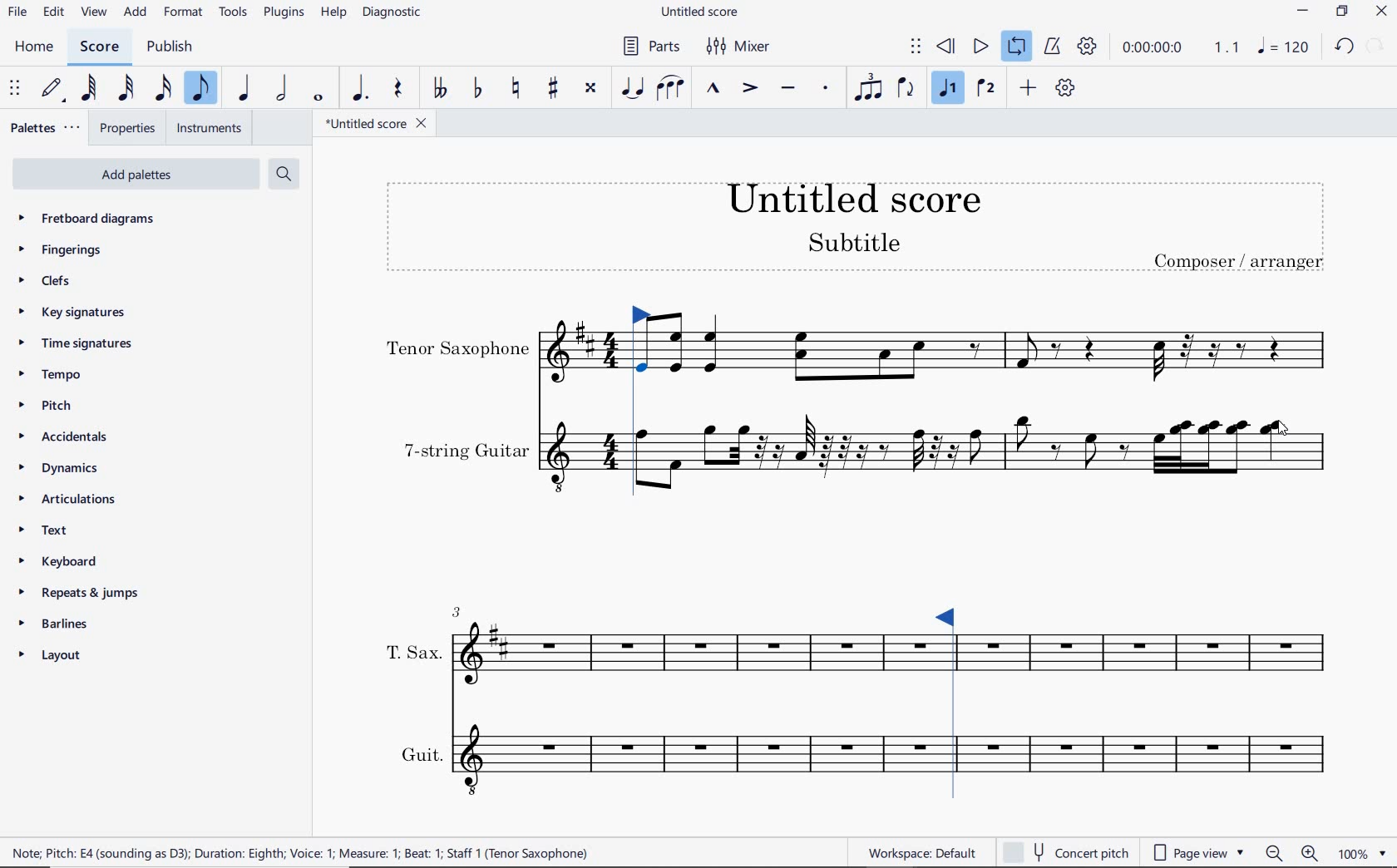 This screenshot has width=1397, height=868. What do you see at coordinates (641, 639) in the screenshot?
I see `INSTRUMENT: T.SAX` at bounding box center [641, 639].